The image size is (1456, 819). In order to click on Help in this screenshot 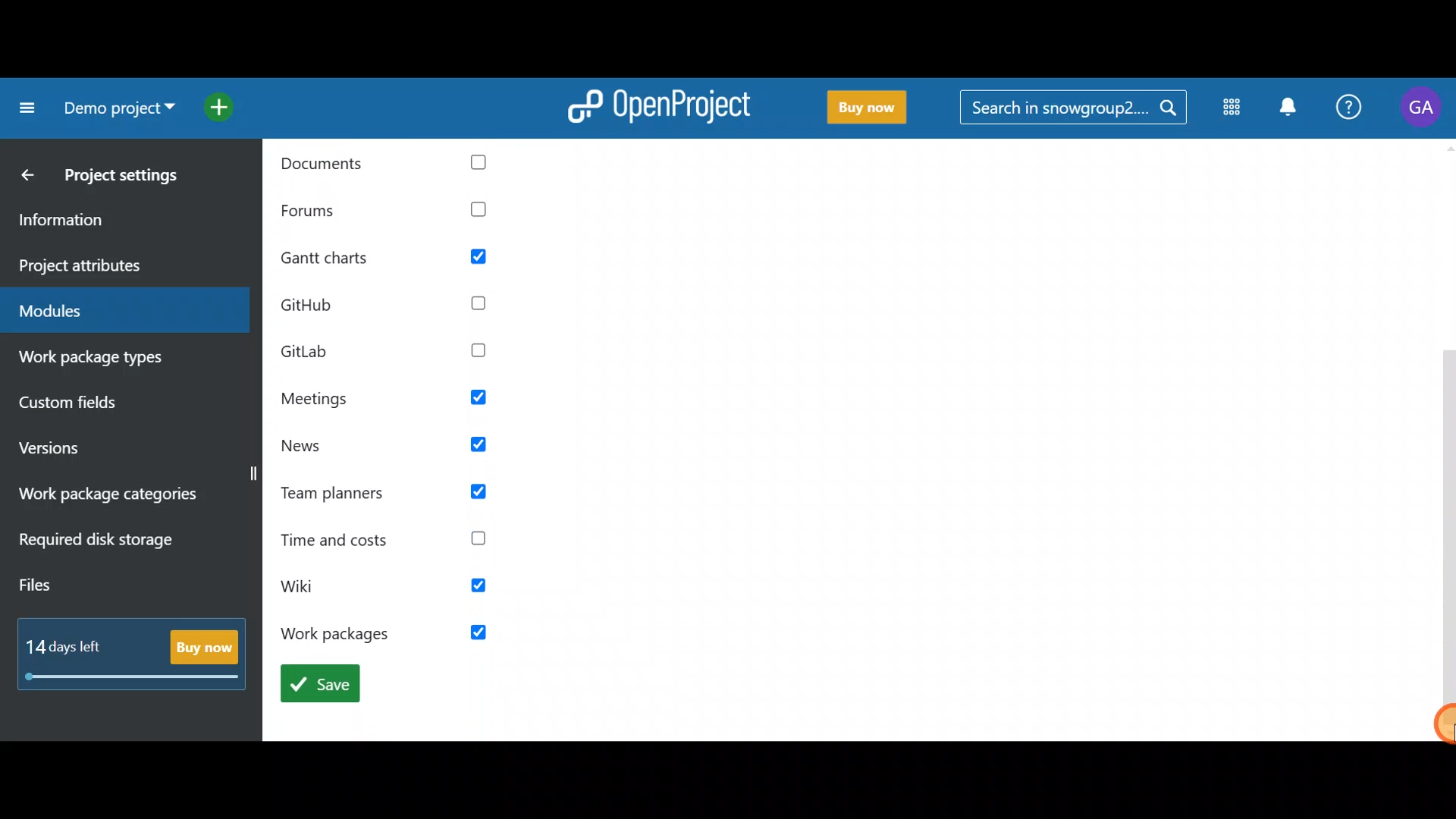, I will do `click(1347, 111)`.